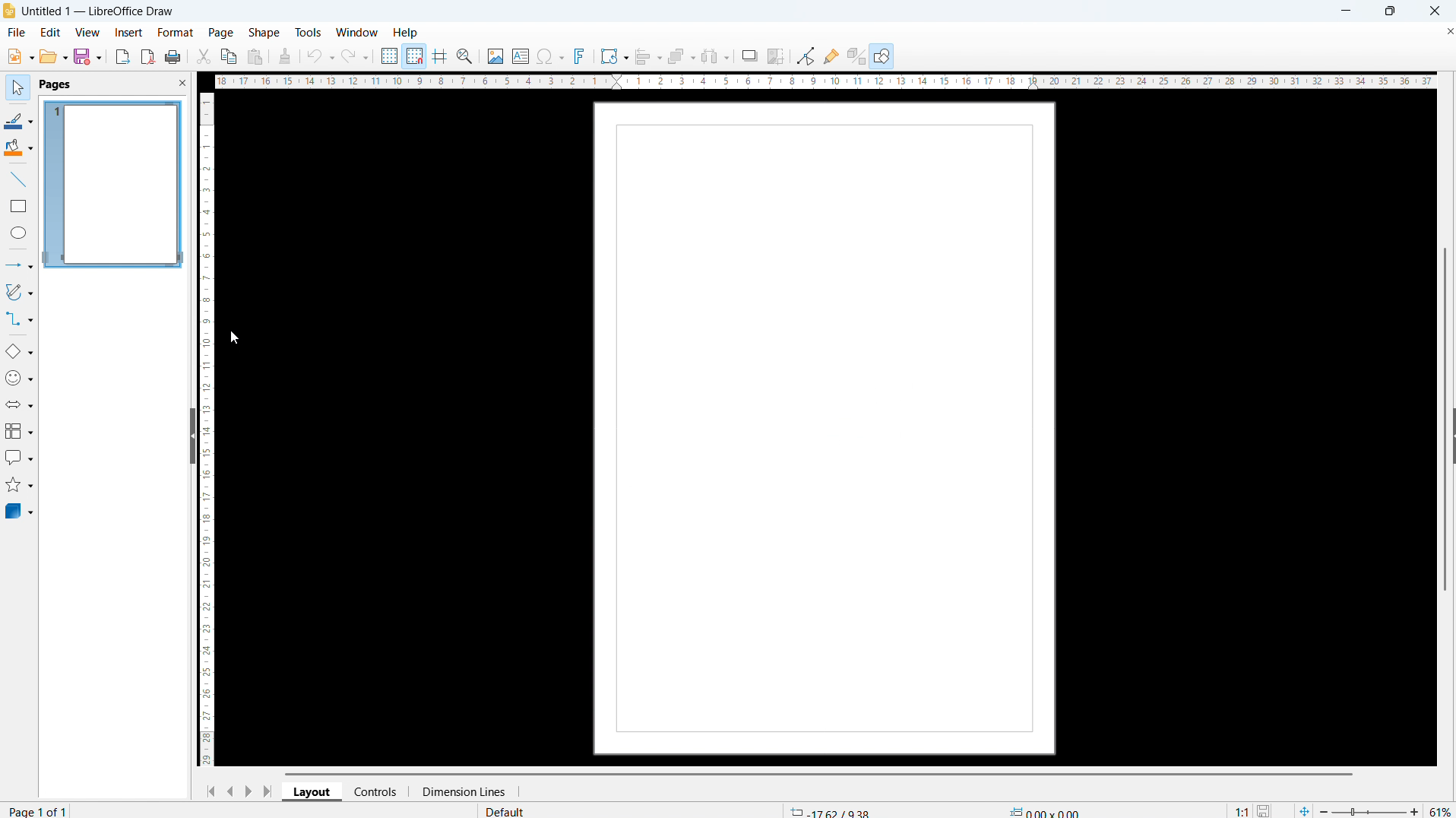 Image resolution: width=1456 pixels, height=818 pixels. What do you see at coordinates (321, 56) in the screenshot?
I see `undo` at bounding box center [321, 56].